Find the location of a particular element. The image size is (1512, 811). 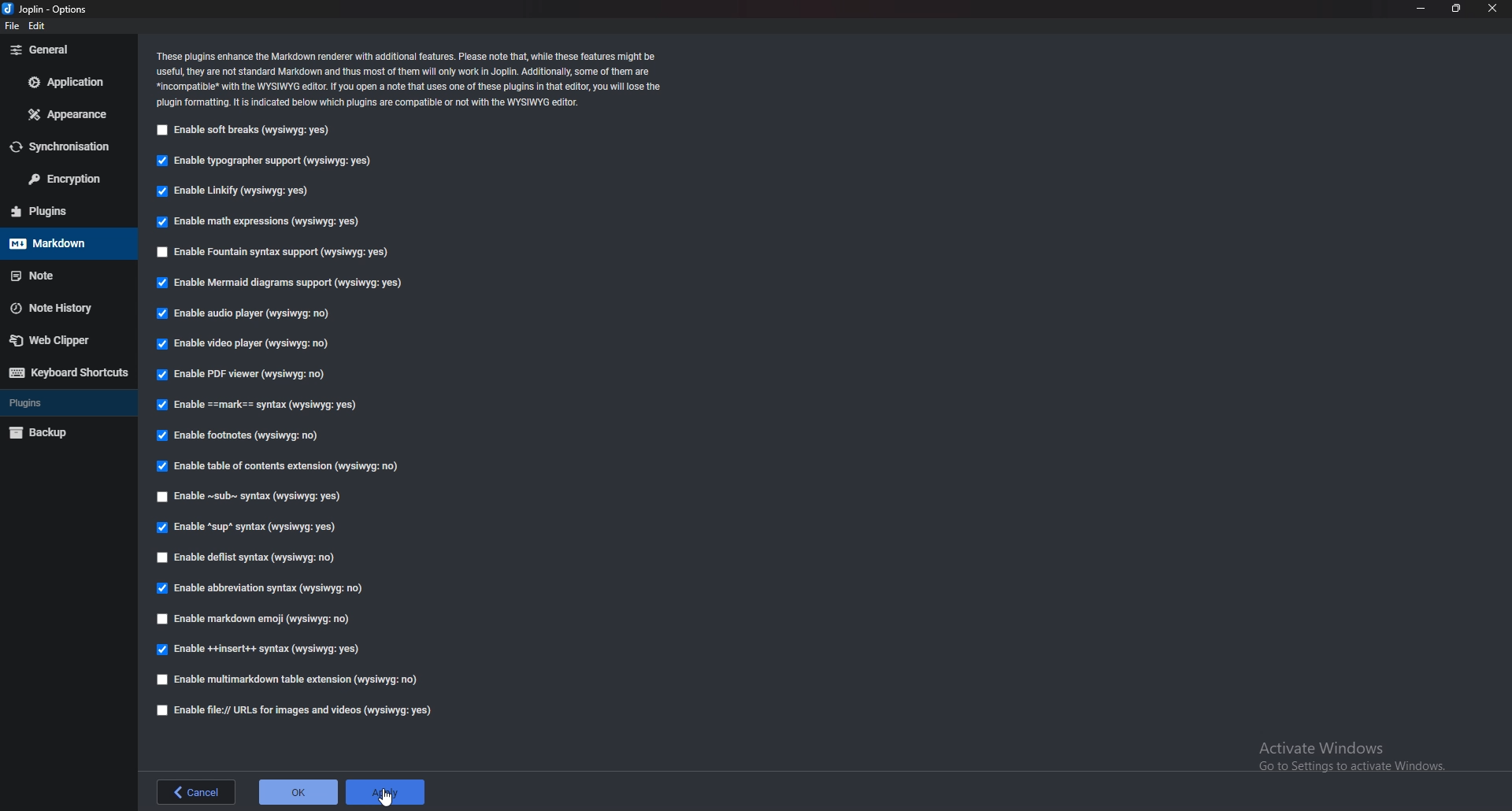

 Enable mermaid diagrams is located at coordinates (283, 283).